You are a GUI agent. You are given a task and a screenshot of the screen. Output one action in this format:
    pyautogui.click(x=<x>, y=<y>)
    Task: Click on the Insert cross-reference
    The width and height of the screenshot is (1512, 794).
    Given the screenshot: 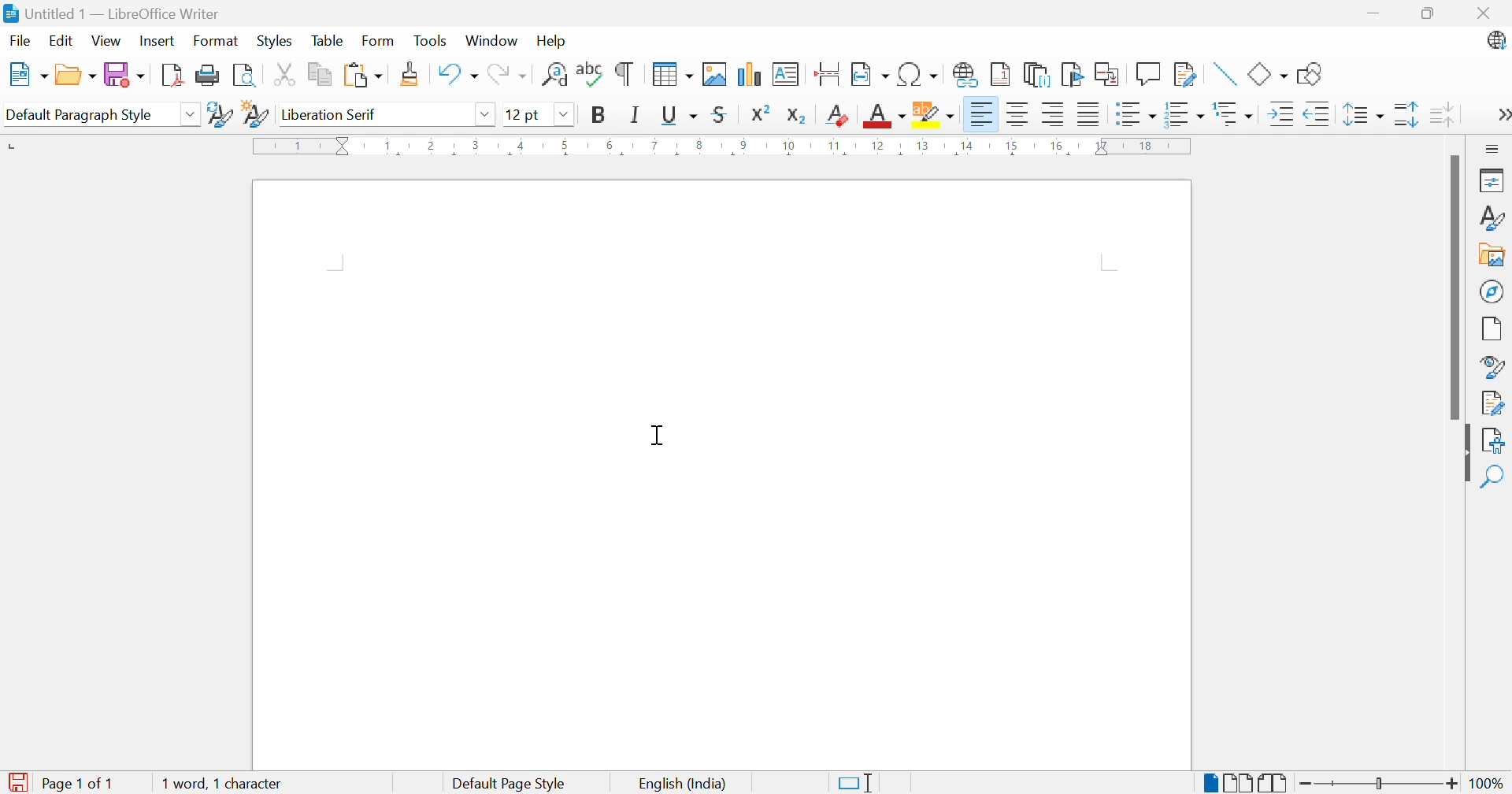 What is the action you would take?
    pyautogui.click(x=1106, y=74)
    